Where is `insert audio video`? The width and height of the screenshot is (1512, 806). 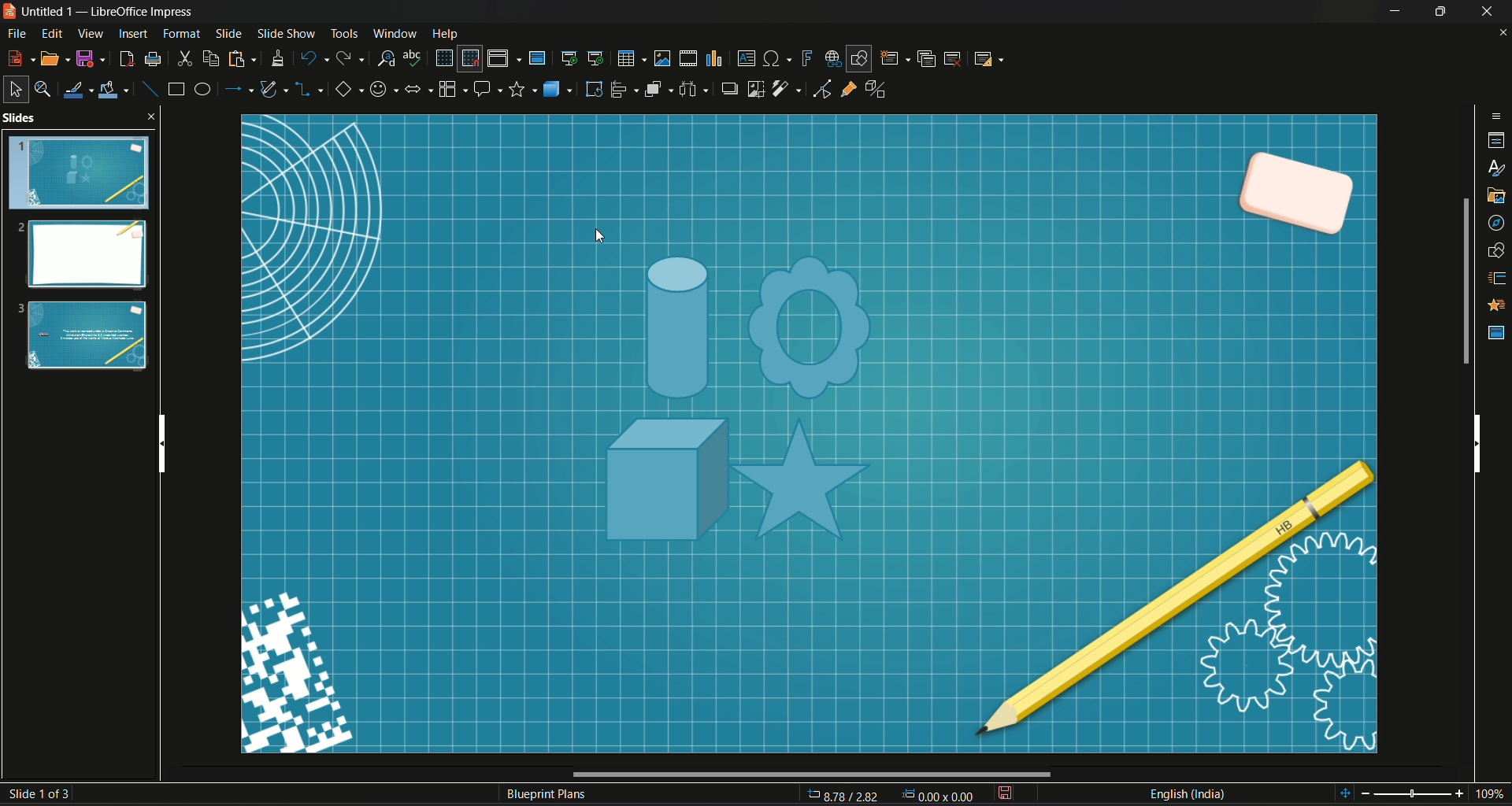
insert audio video is located at coordinates (687, 58).